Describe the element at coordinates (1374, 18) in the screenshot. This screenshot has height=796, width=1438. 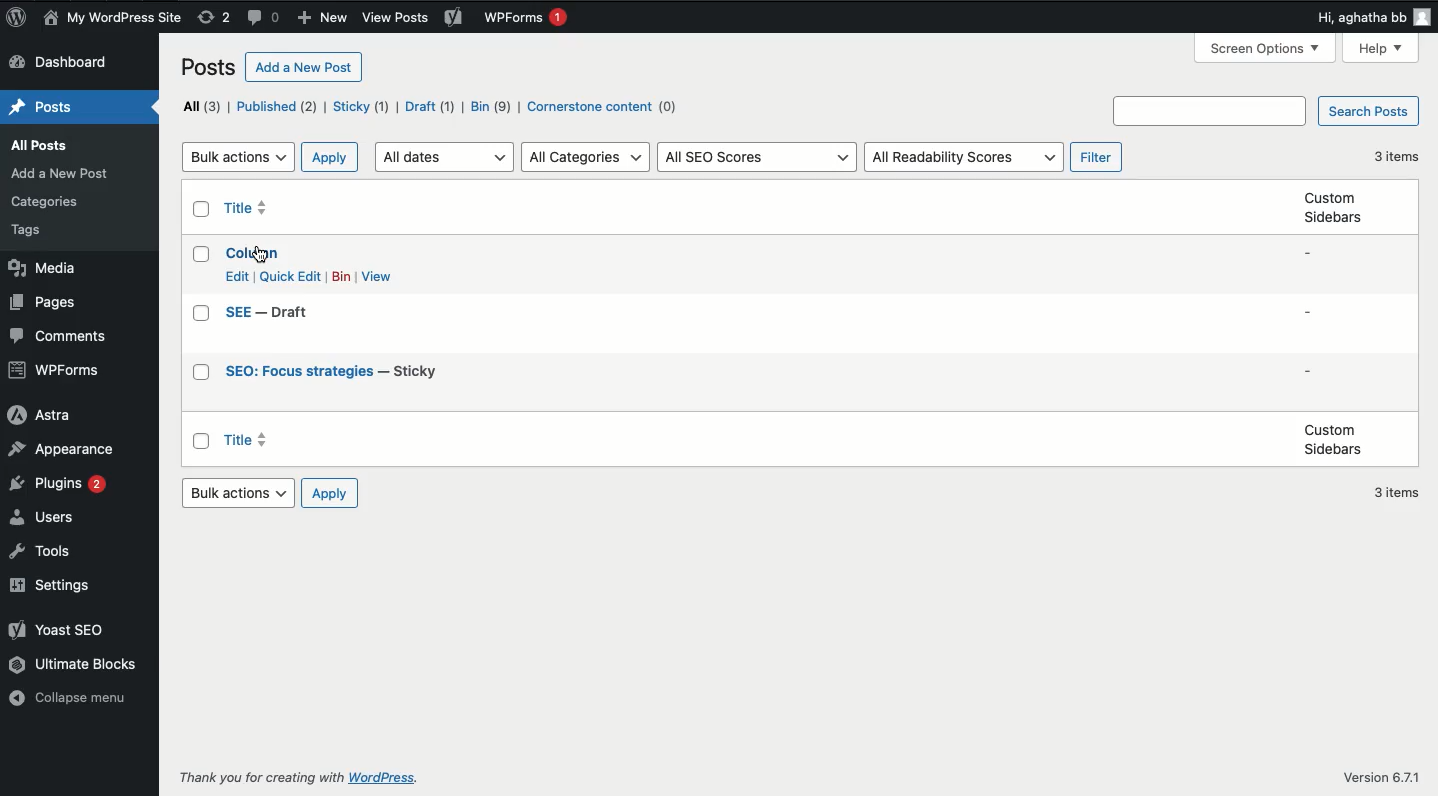
I see `Hi user` at that location.